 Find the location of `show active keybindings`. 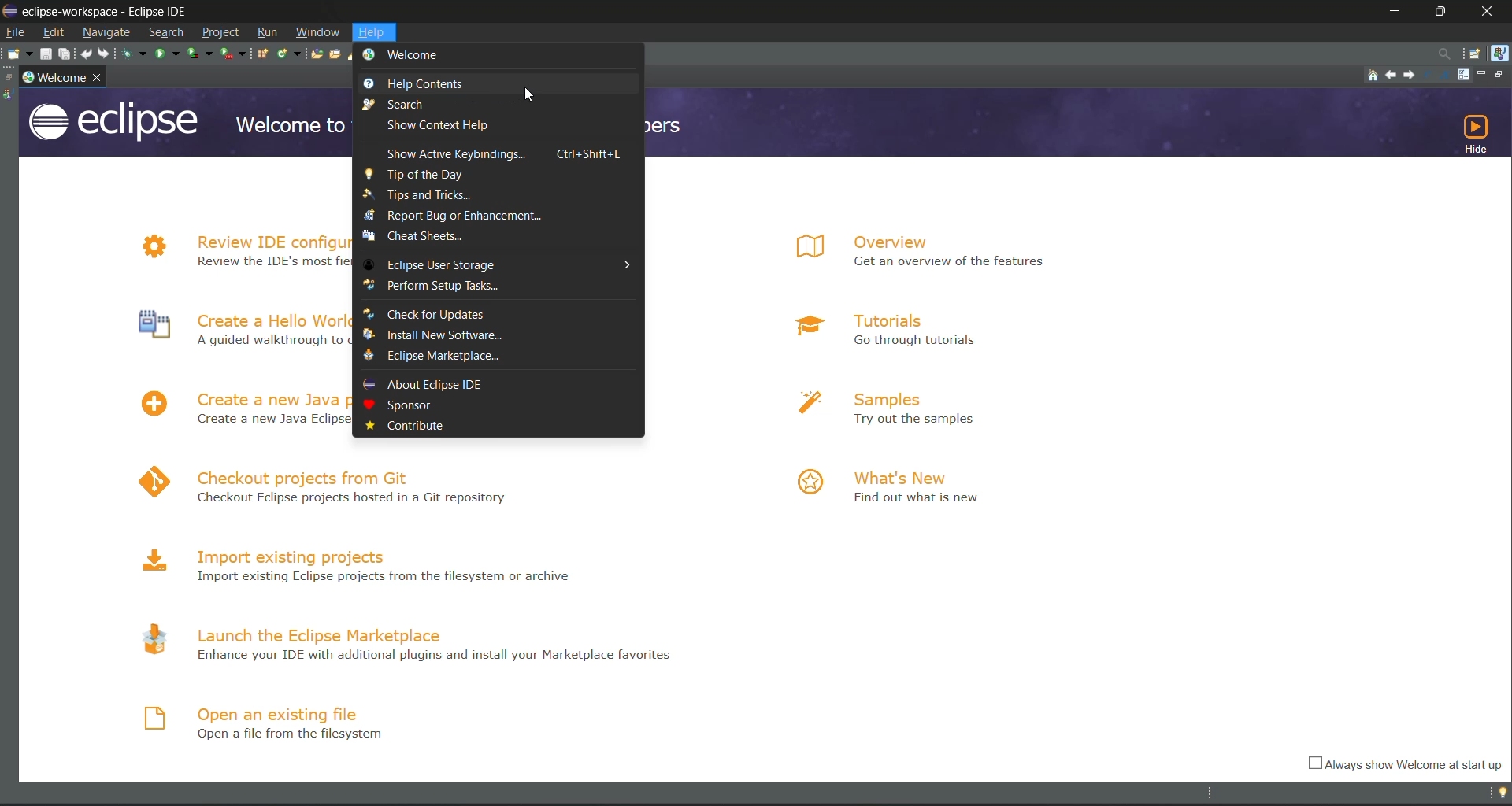

show active keybindings is located at coordinates (495, 152).